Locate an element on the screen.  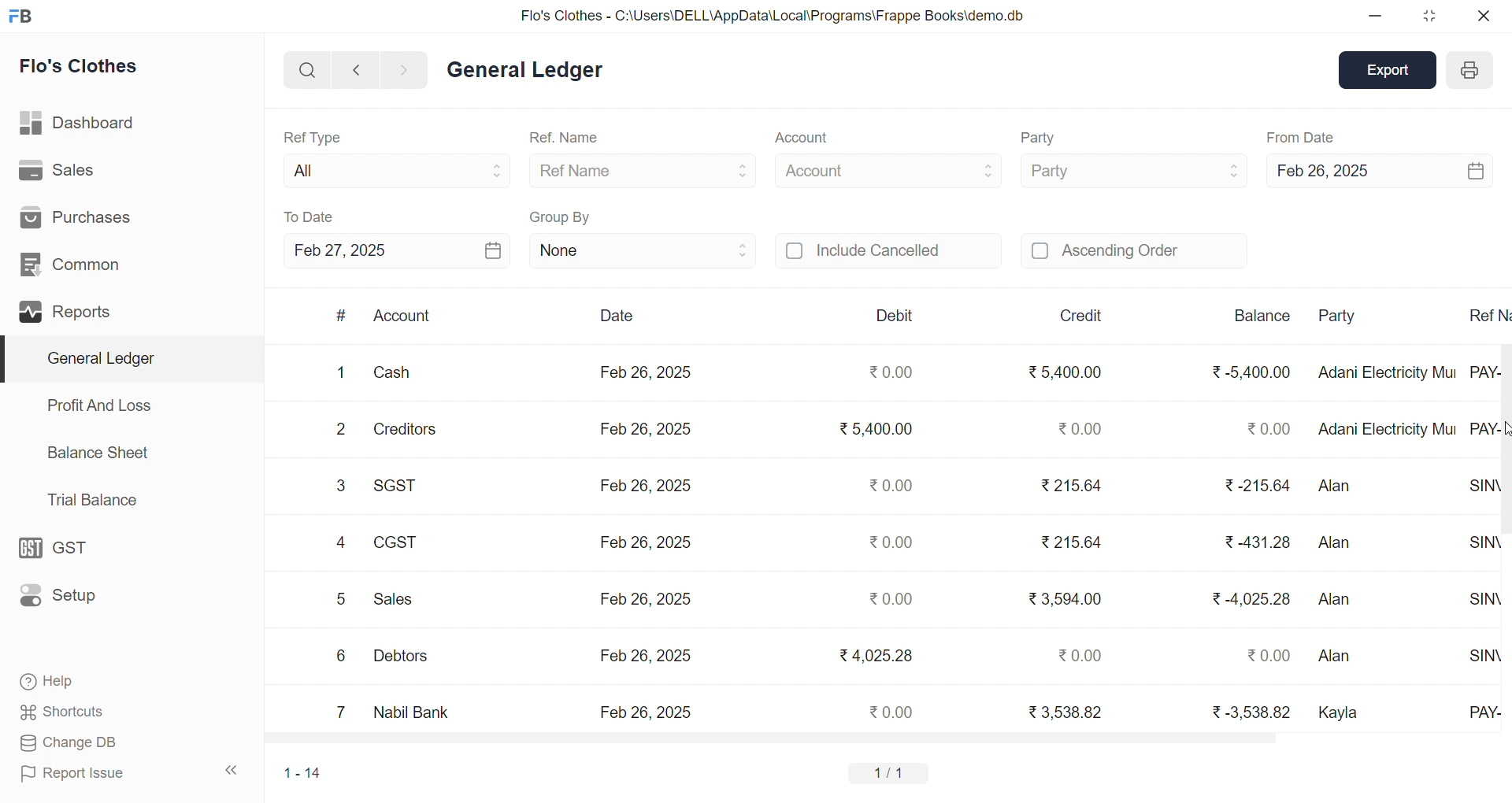
Kayla is located at coordinates (1343, 710).